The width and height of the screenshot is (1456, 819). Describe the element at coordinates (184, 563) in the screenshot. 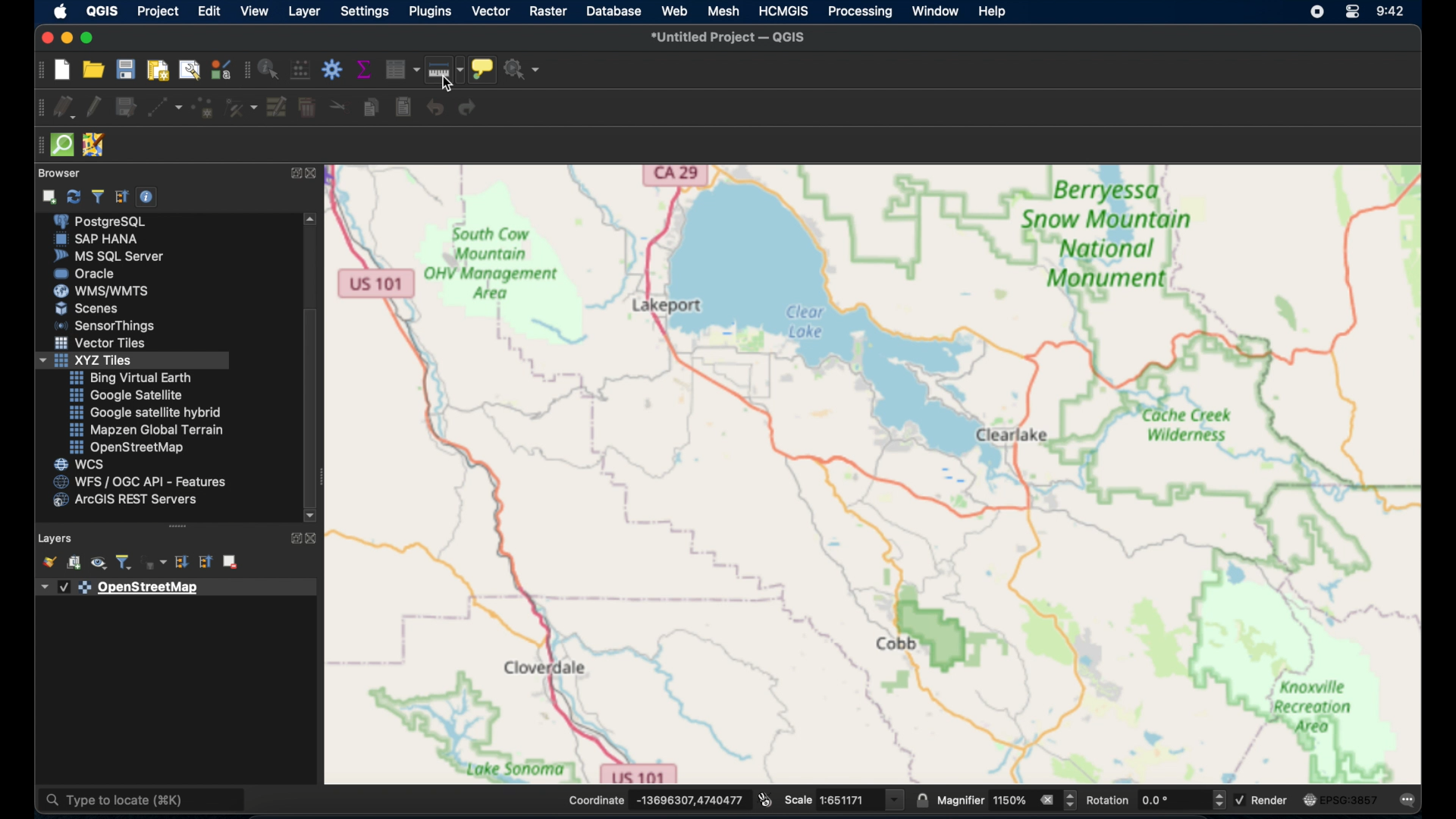

I see `expand all` at that location.